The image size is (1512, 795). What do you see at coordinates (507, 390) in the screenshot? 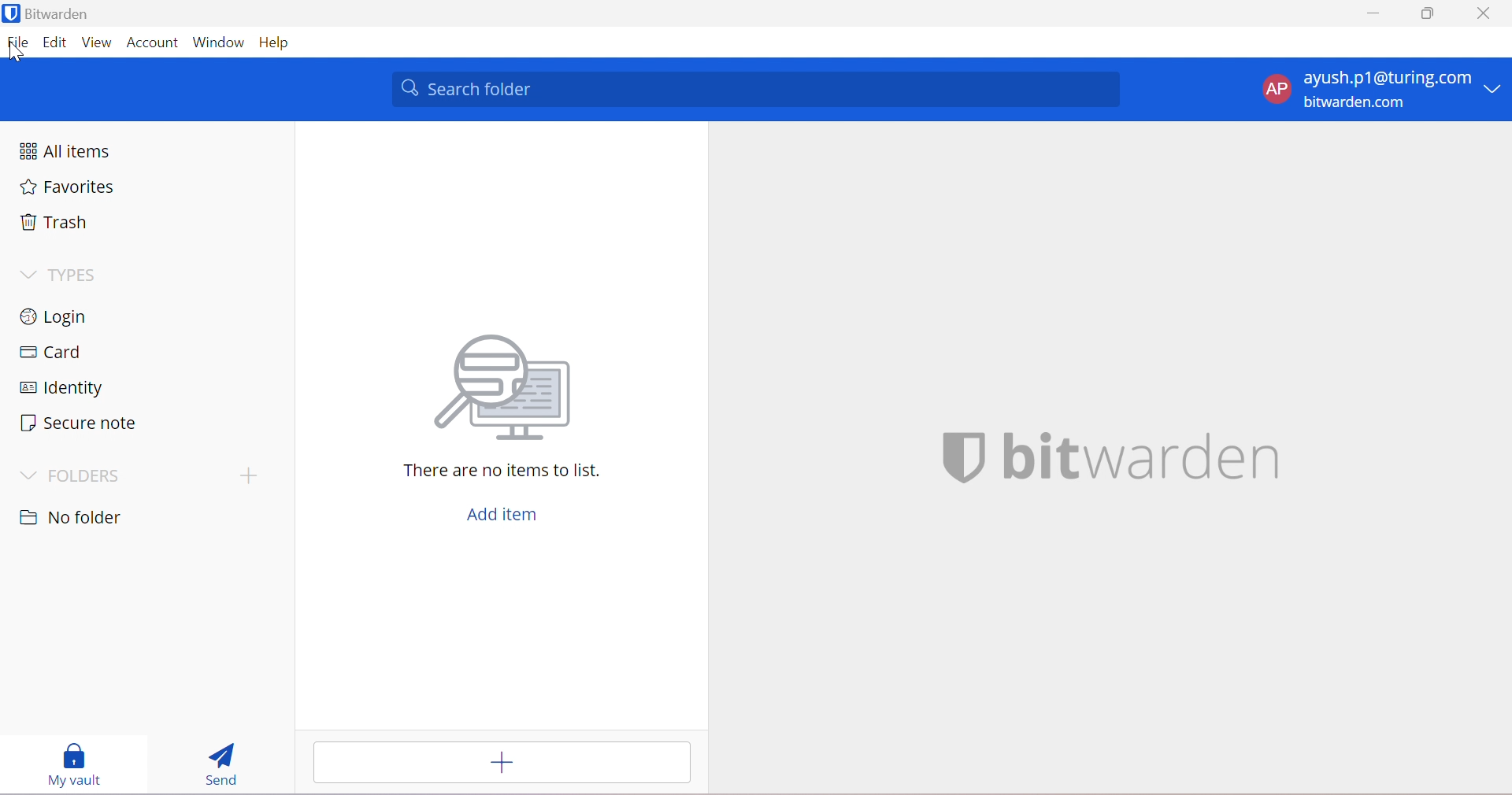
I see `Searching for file vector image` at bounding box center [507, 390].